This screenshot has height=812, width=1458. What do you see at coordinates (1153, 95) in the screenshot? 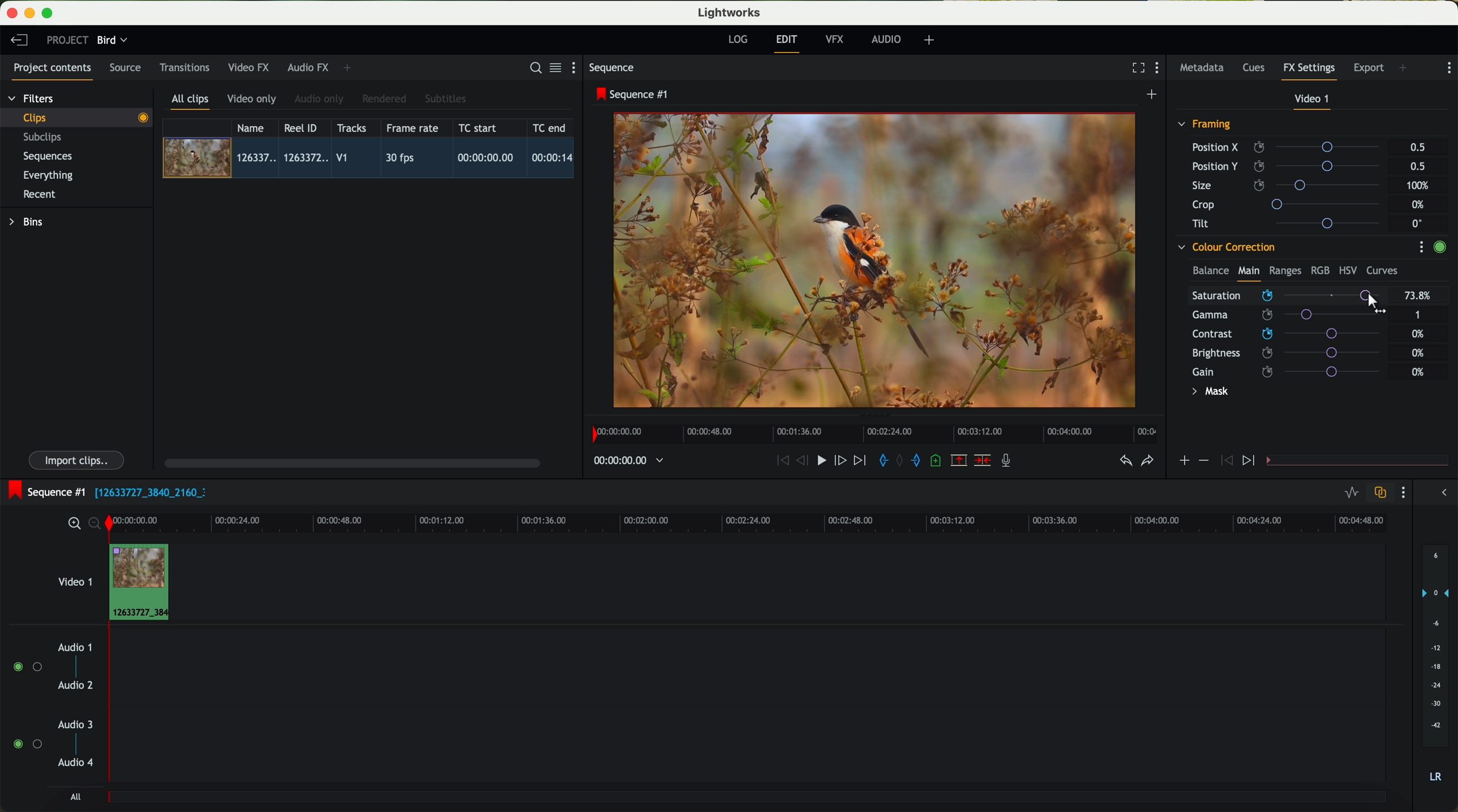
I see `create a new sequence` at bounding box center [1153, 95].